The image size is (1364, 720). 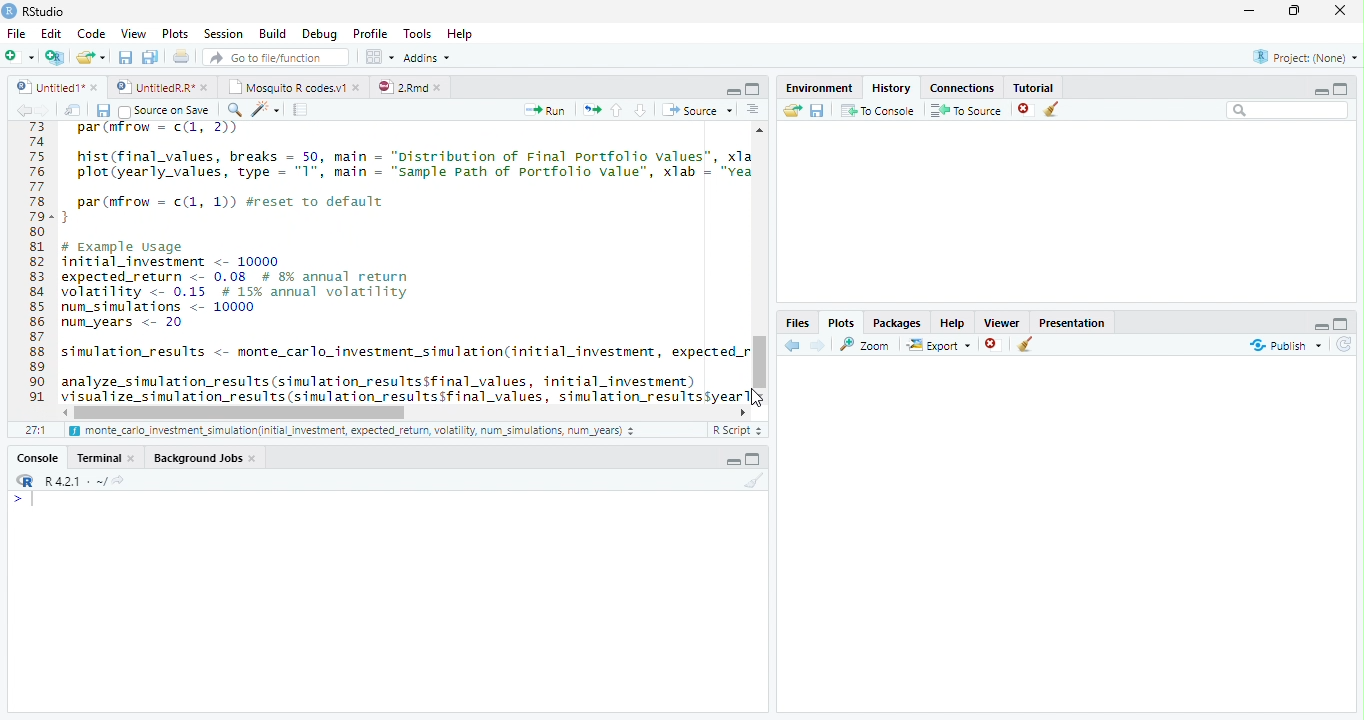 I want to click on Open new file, so click(x=19, y=56).